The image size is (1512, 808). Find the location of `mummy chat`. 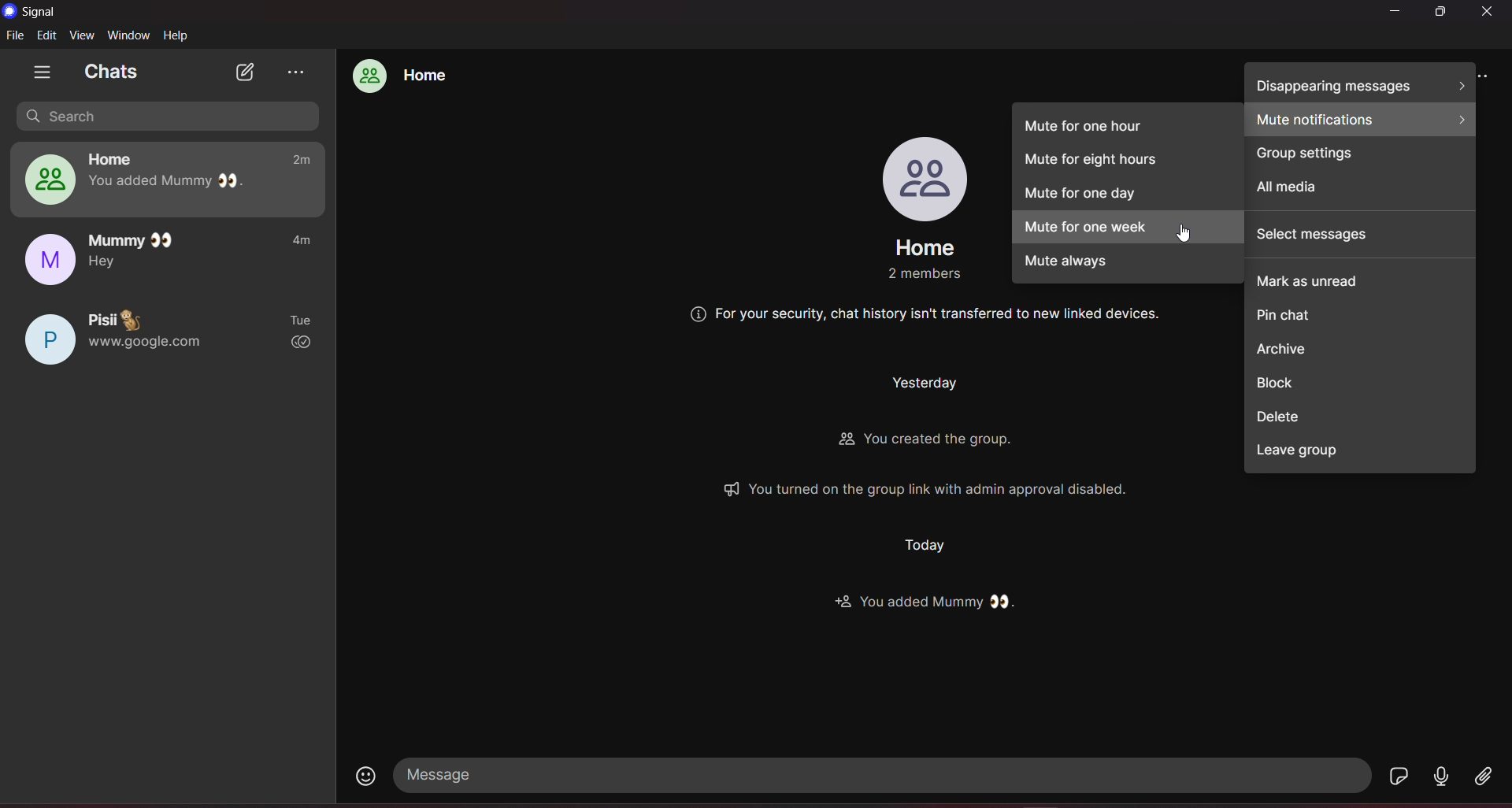

mummy chat is located at coordinates (170, 254).